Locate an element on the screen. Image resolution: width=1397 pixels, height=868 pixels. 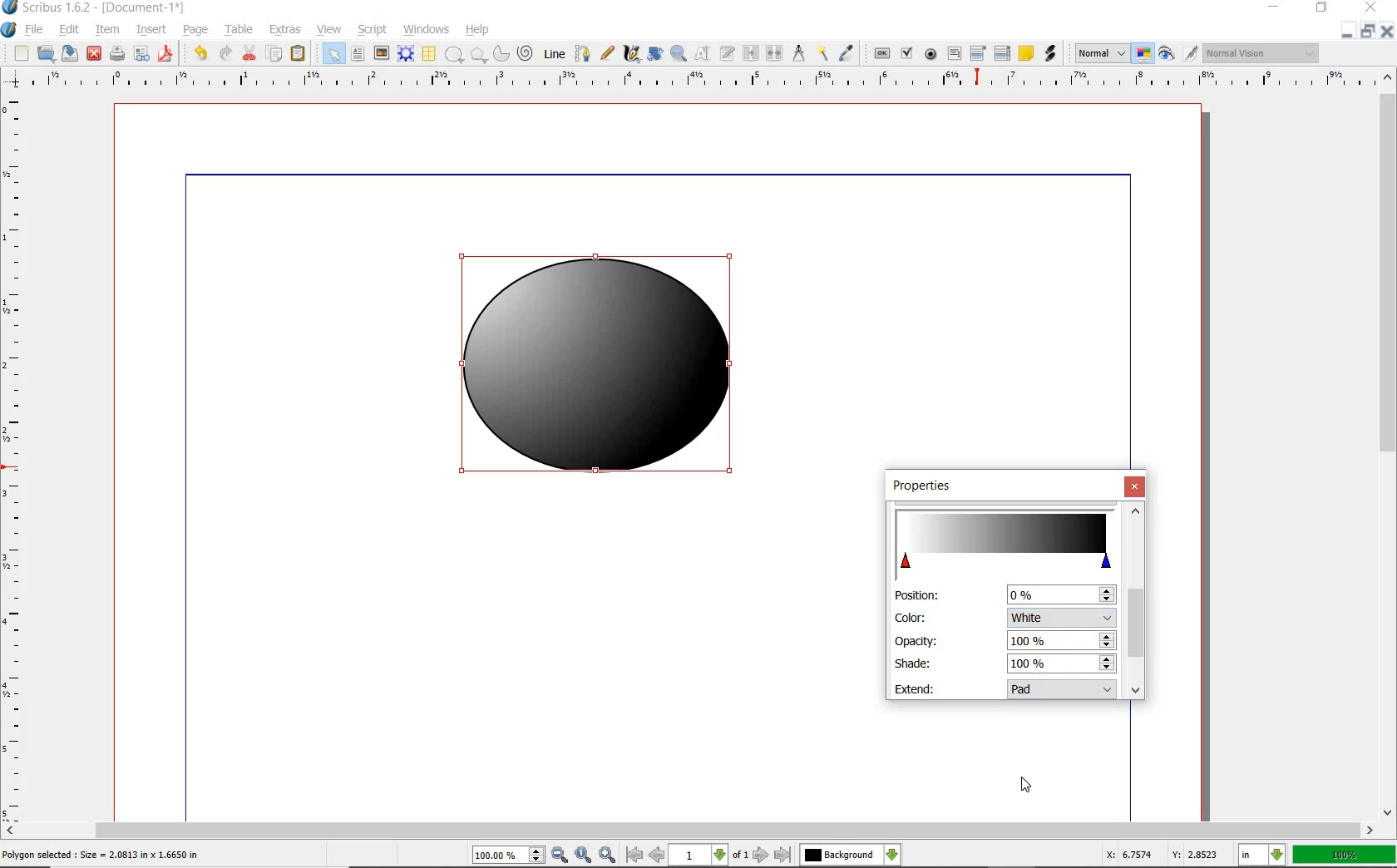
POLYGON is located at coordinates (478, 55).